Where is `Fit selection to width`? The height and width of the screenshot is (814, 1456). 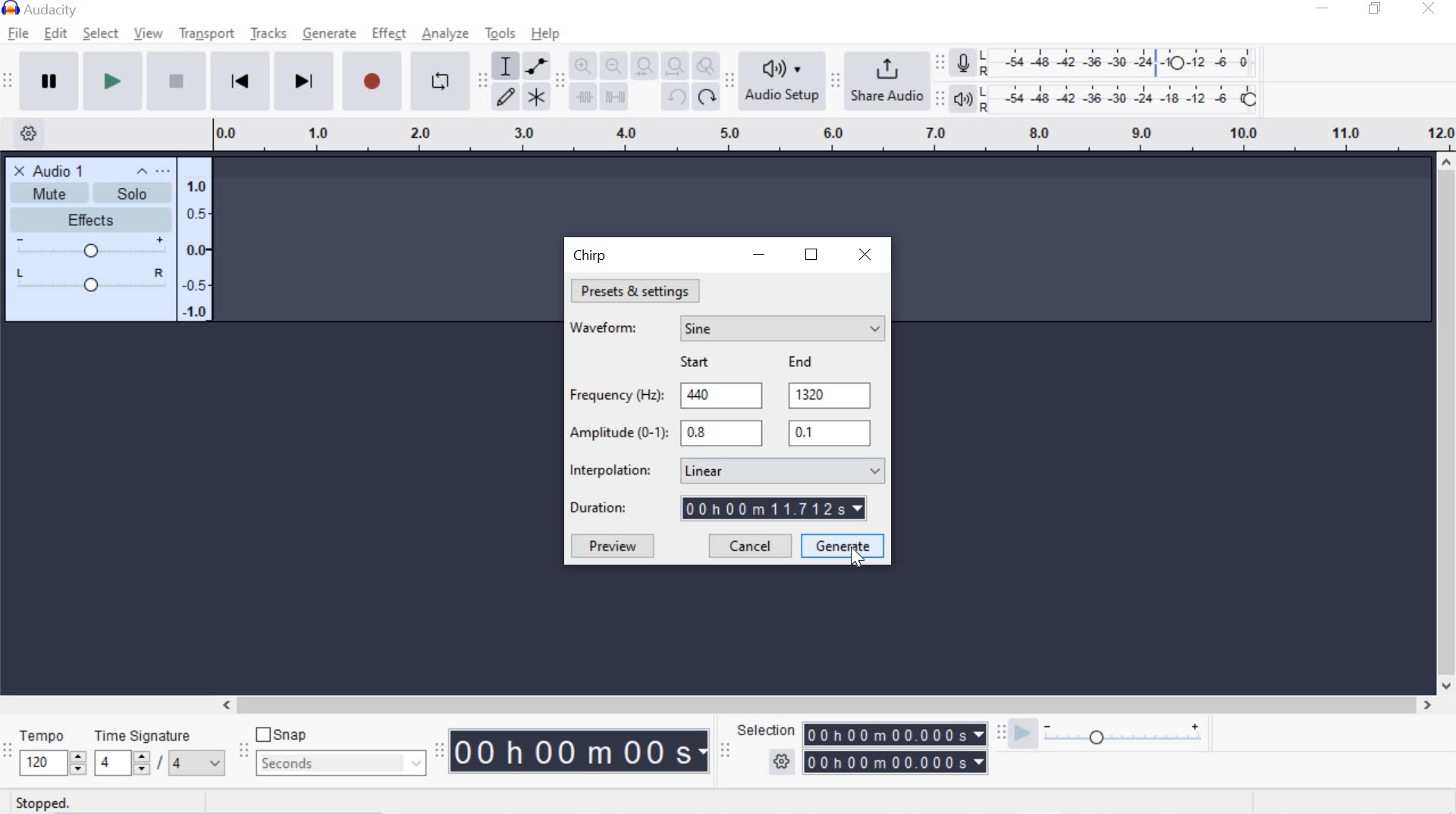
Fit selection to width is located at coordinates (642, 68).